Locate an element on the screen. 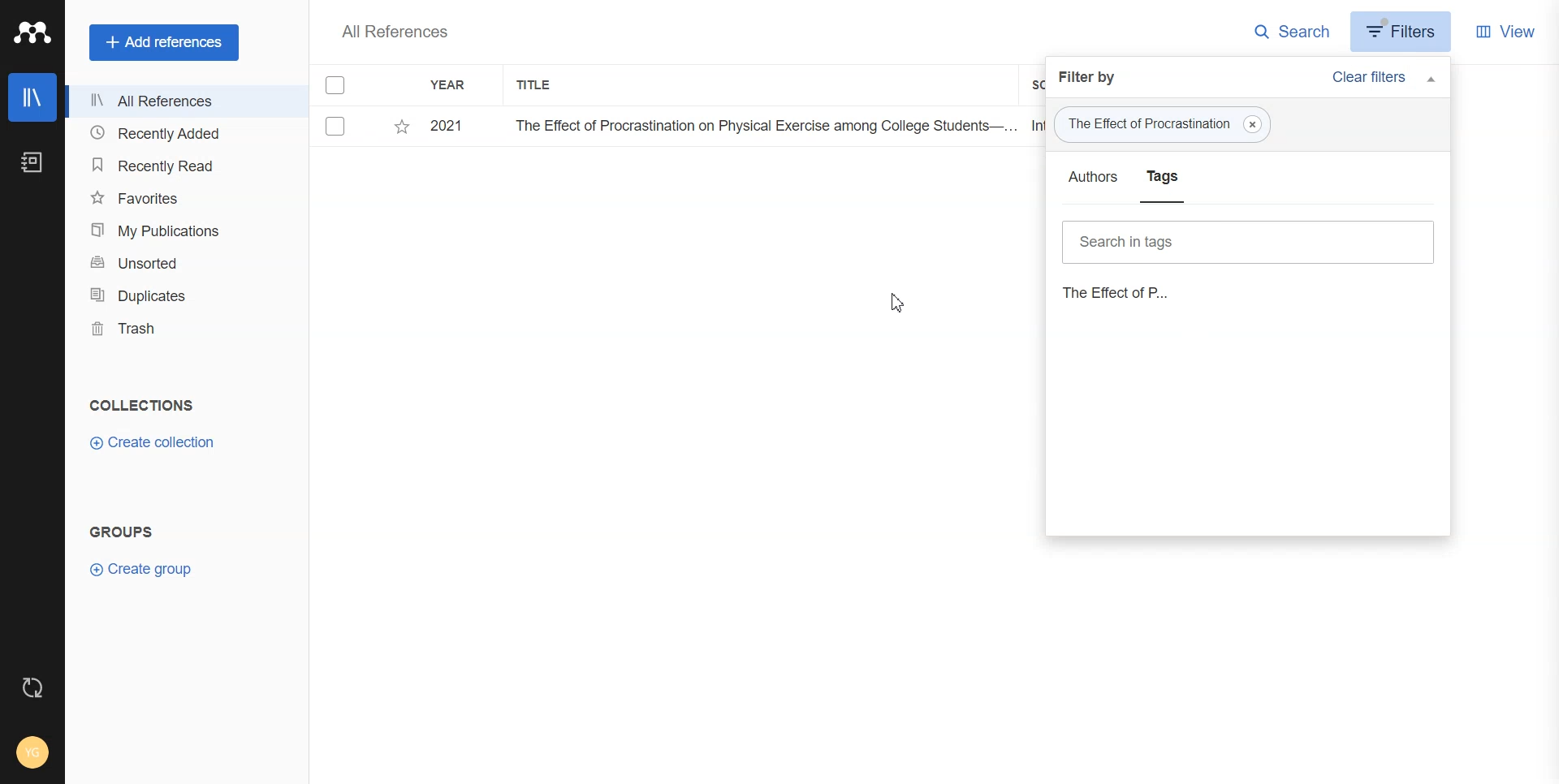 This screenshot has height=784, width=1559. Cursor is located at coordinates (899, 303).